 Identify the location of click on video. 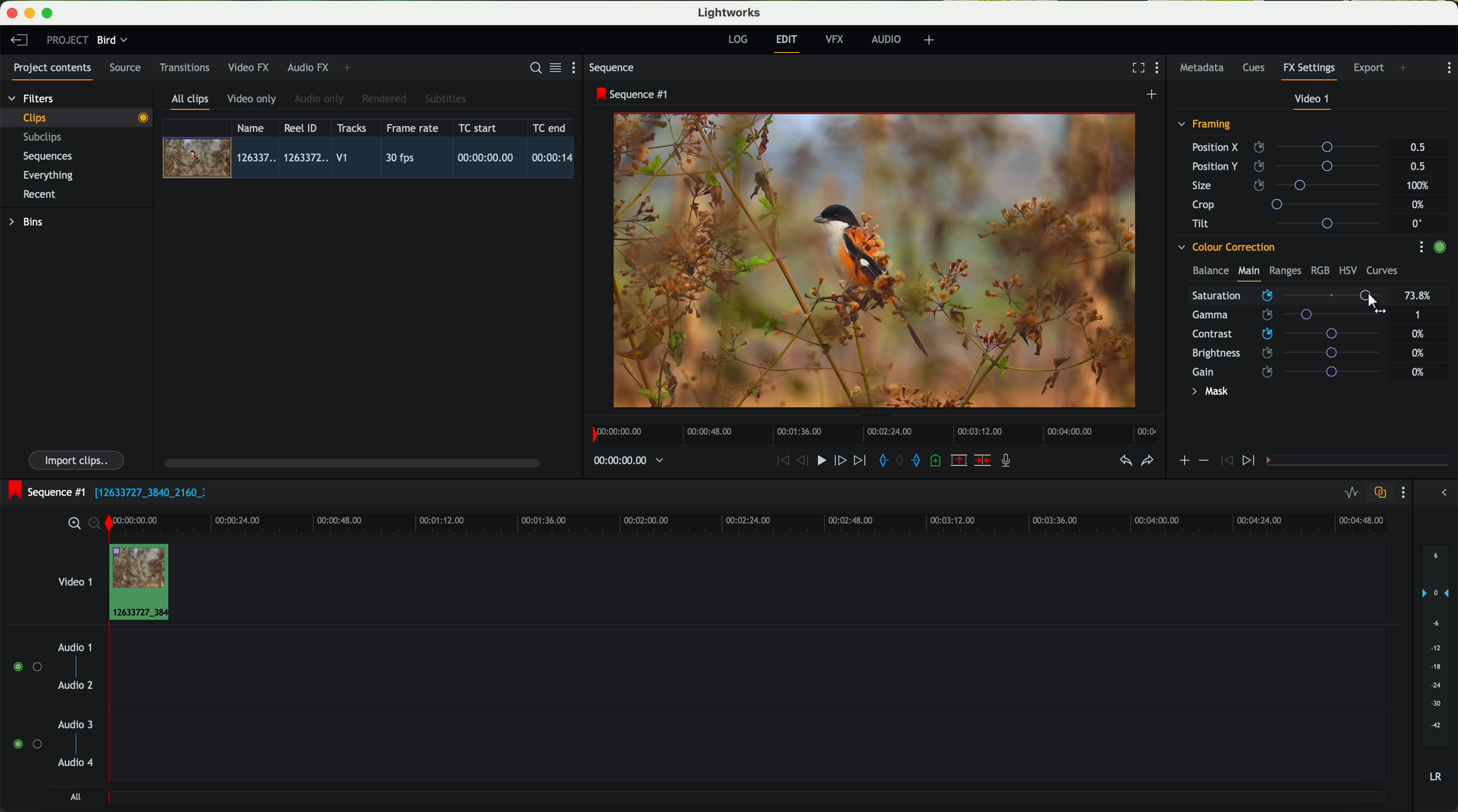
(372, 160).